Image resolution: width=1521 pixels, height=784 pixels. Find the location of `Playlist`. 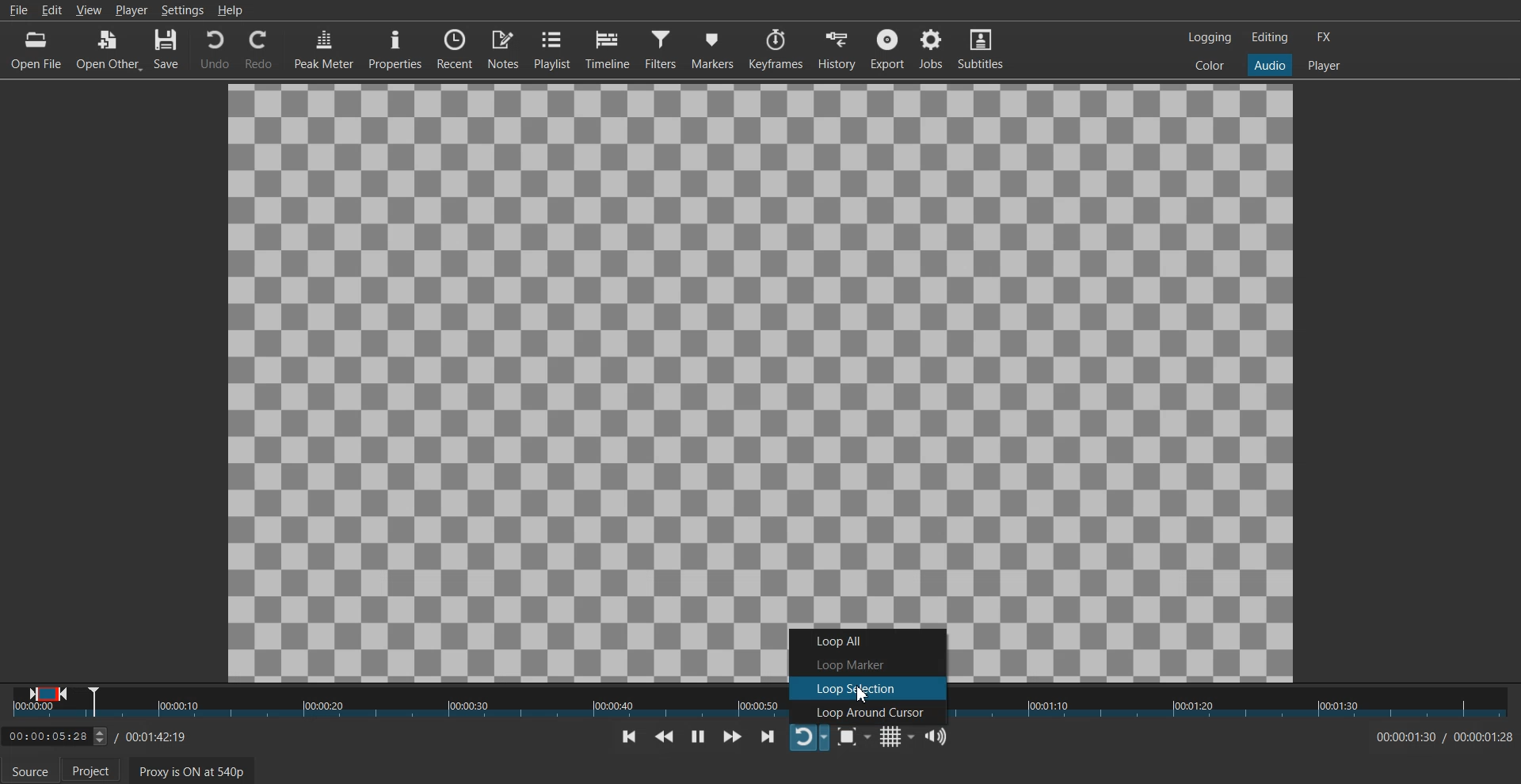

Playlist is located at coordinates (552, 49).